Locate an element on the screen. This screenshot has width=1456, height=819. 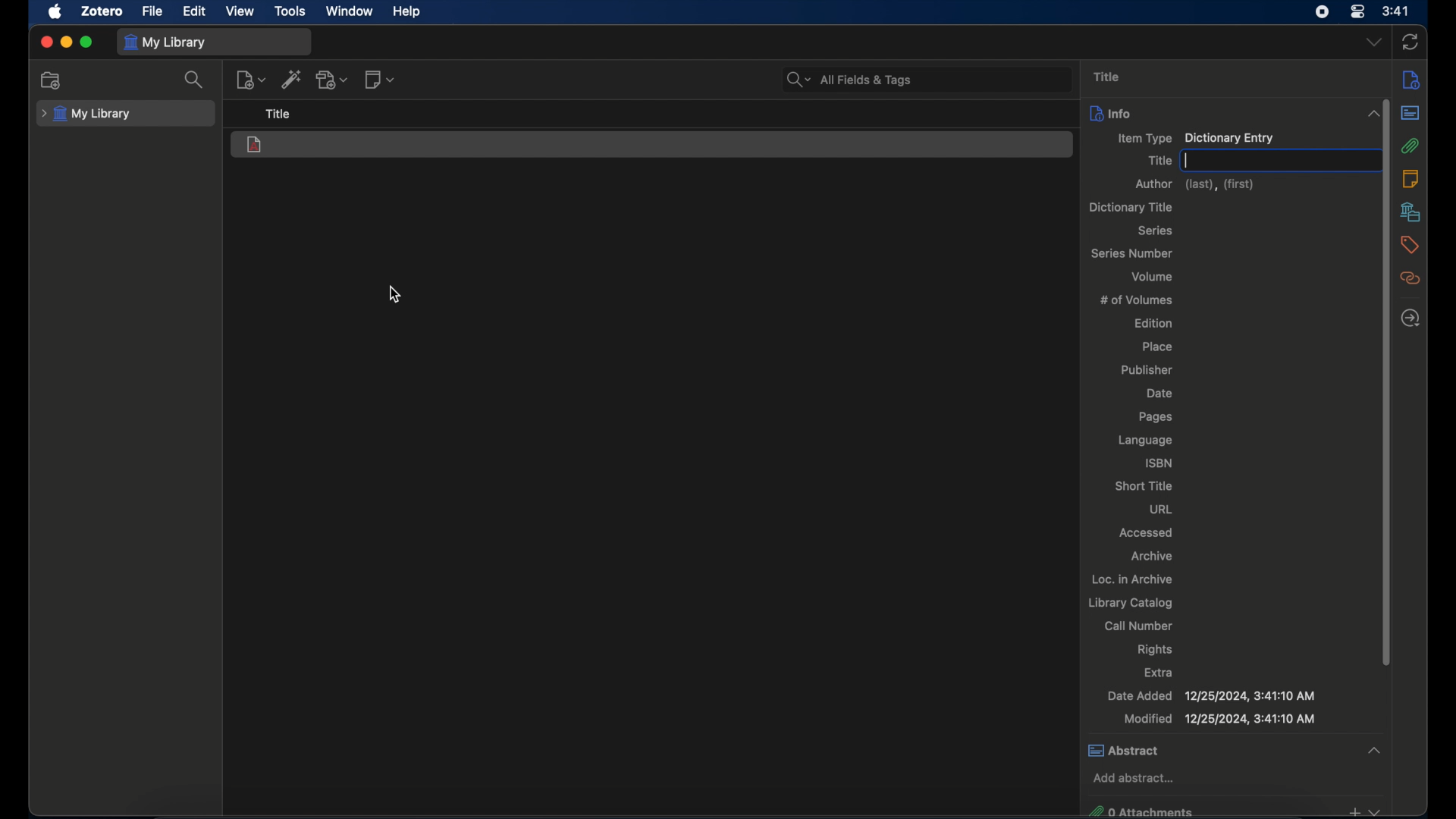
cursor is located at coordinates (394, 295).